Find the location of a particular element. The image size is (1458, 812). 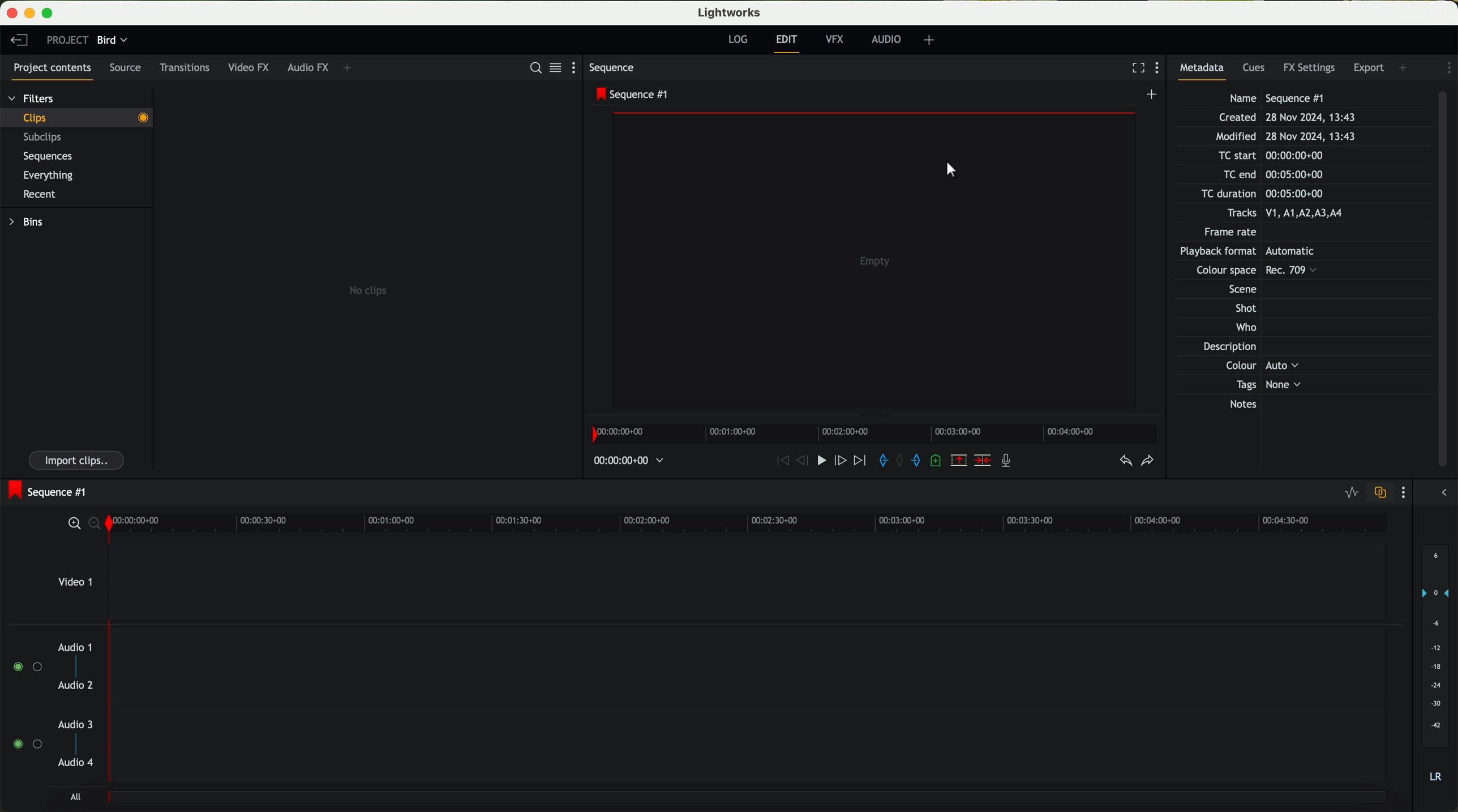

project contents is located at coordinates (52, 70).